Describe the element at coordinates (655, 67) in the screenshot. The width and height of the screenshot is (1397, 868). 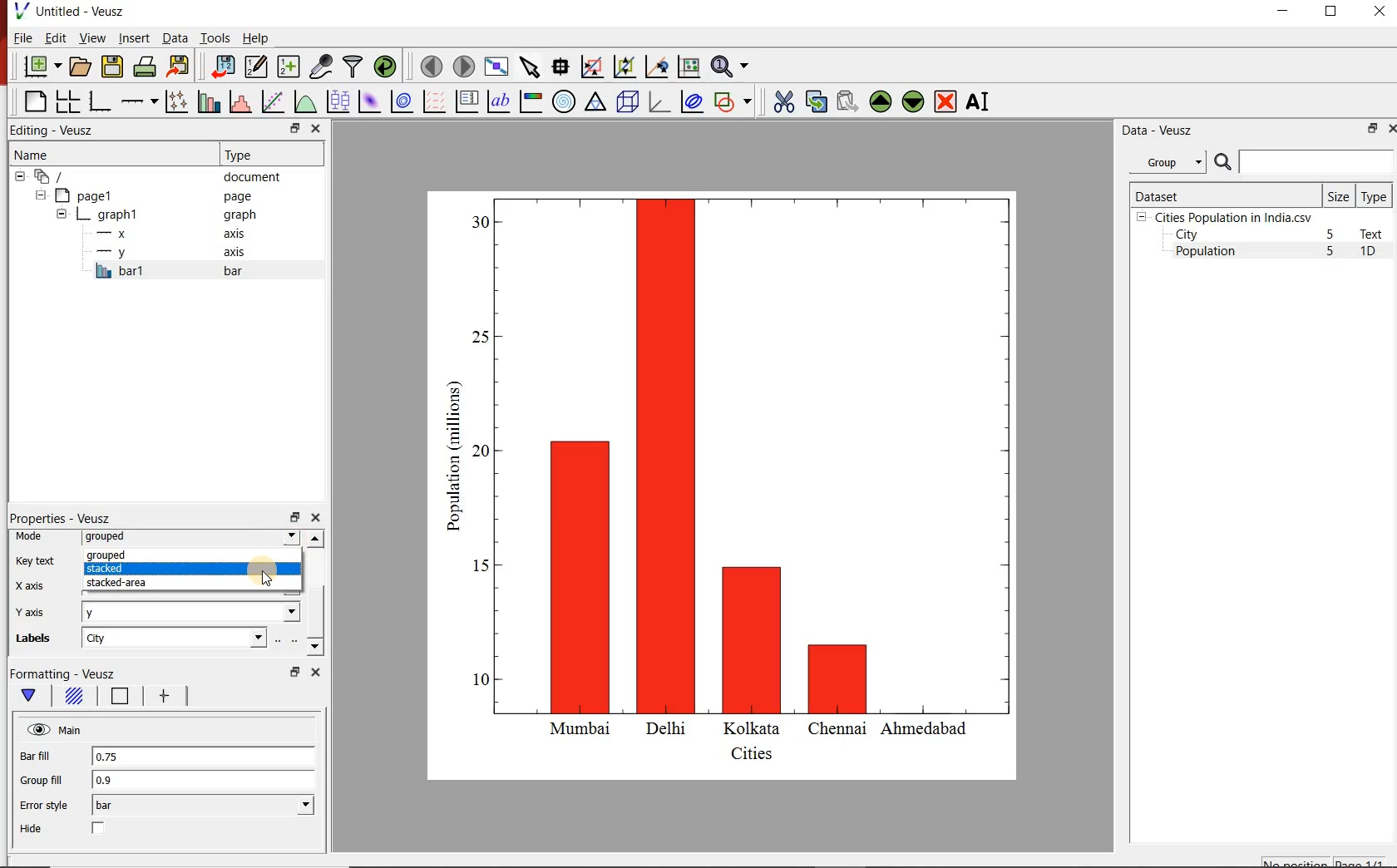
I see `click to recenter graph axes` at that location.